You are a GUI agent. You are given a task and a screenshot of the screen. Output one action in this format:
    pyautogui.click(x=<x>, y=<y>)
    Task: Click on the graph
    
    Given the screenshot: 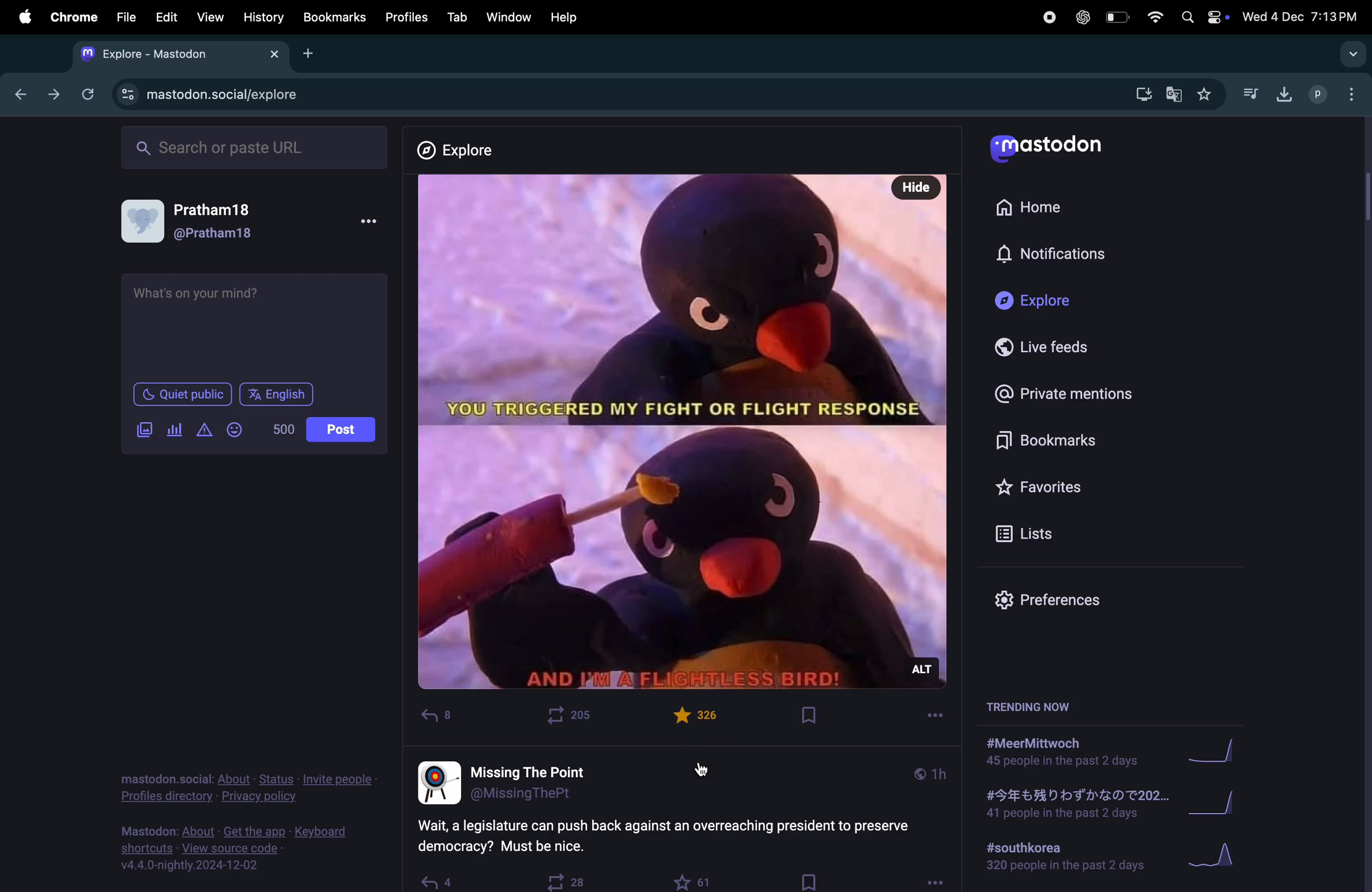 What is the action you would take?
    pyautogui.click(x=1213, y=802)
    